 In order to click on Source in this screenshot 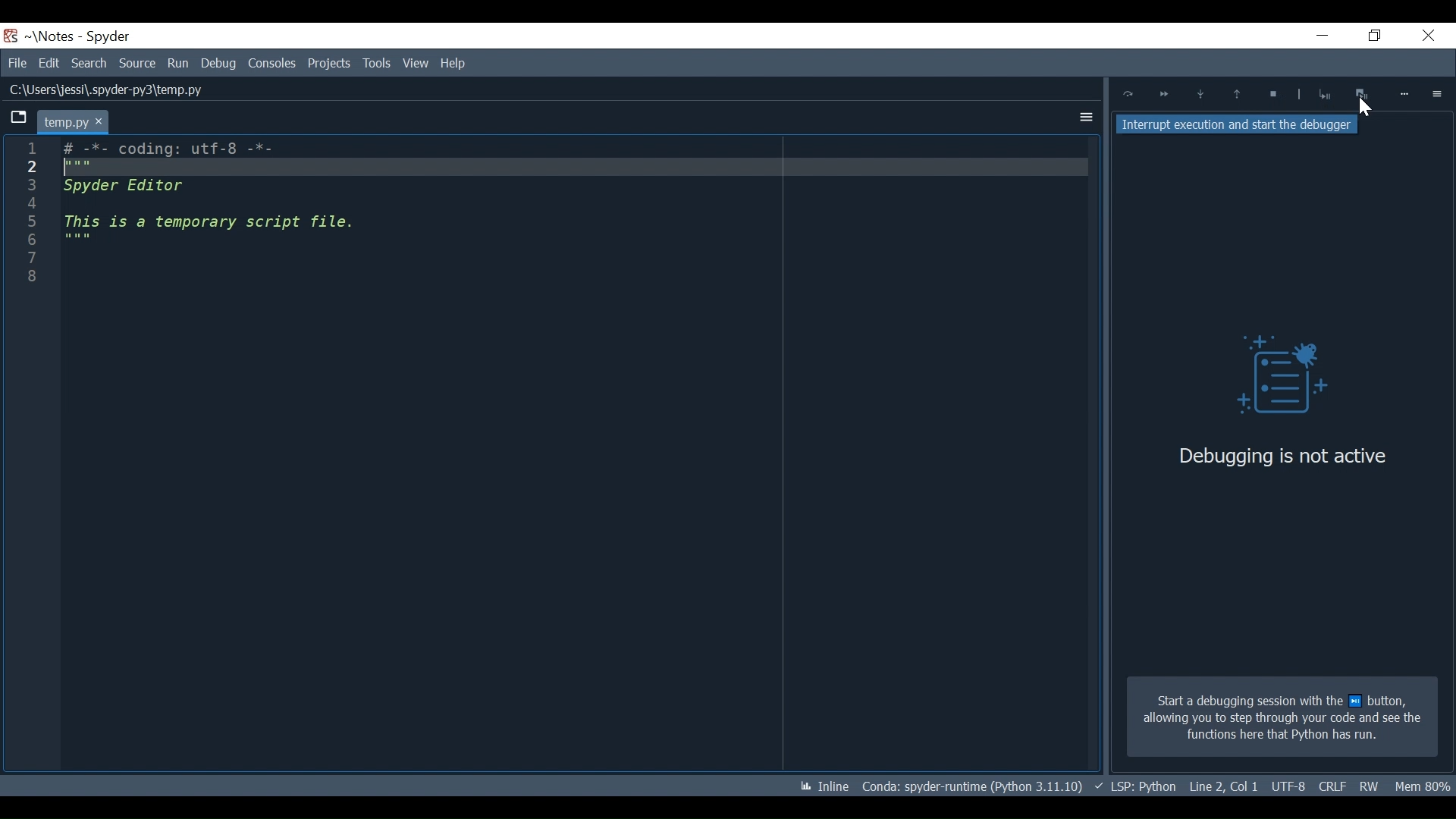, I will do `click(138, 64)`.